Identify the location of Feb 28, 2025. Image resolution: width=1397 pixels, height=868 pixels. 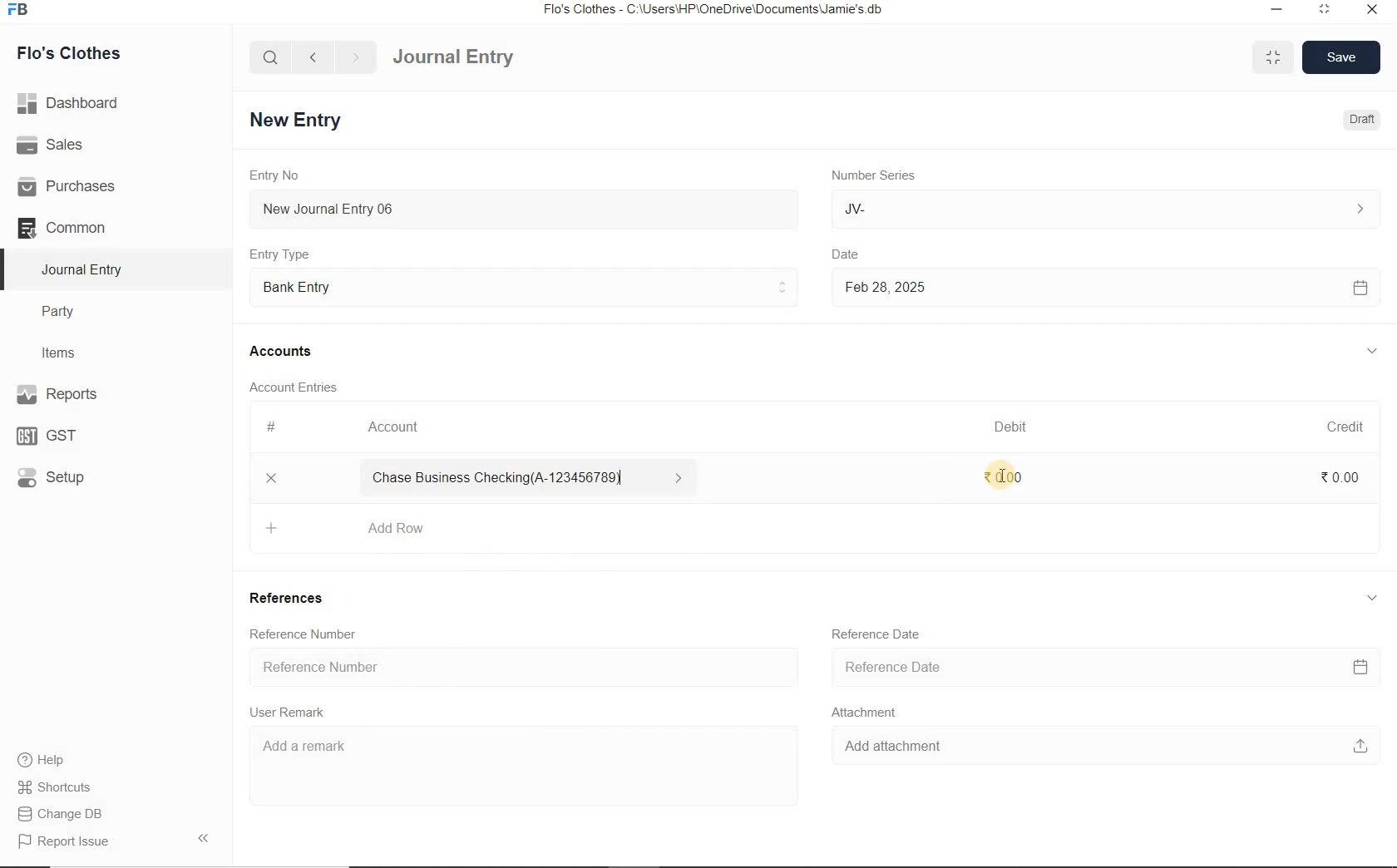
(1105, 287).